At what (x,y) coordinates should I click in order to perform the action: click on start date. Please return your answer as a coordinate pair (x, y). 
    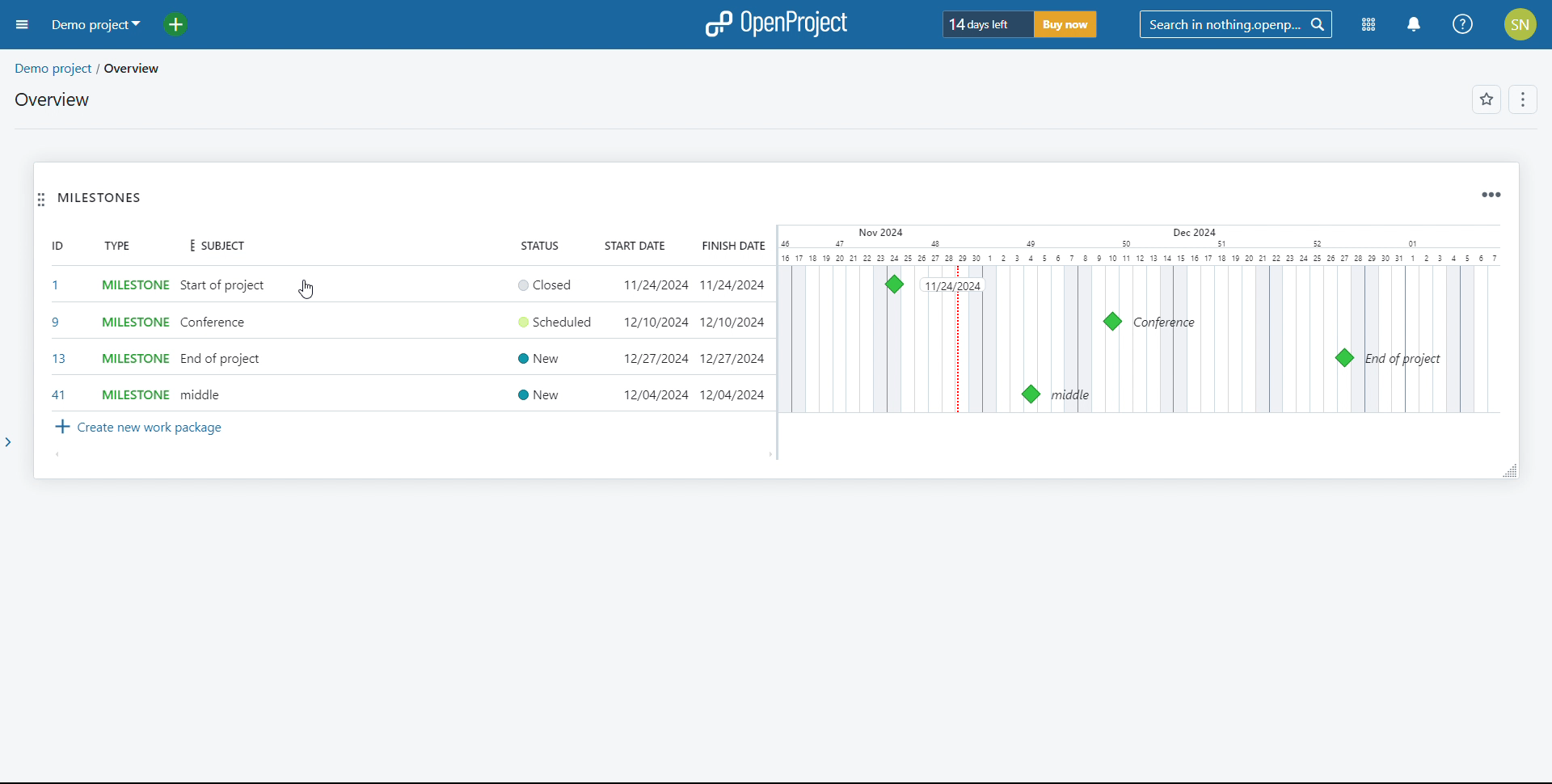
    Looking at the image, I should click on (635, 246).